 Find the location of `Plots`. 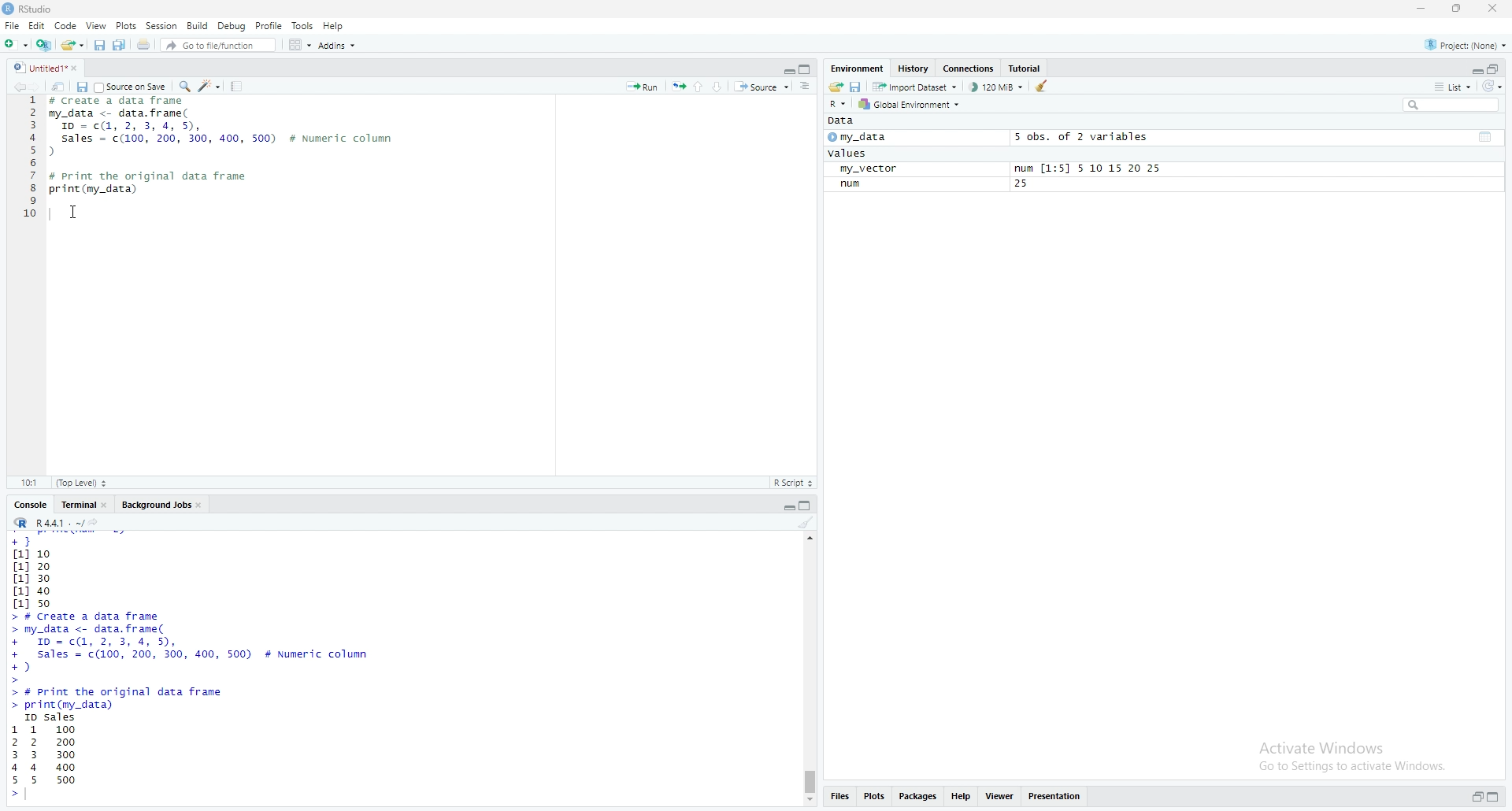

Plots is located at coordinates (121, 26).